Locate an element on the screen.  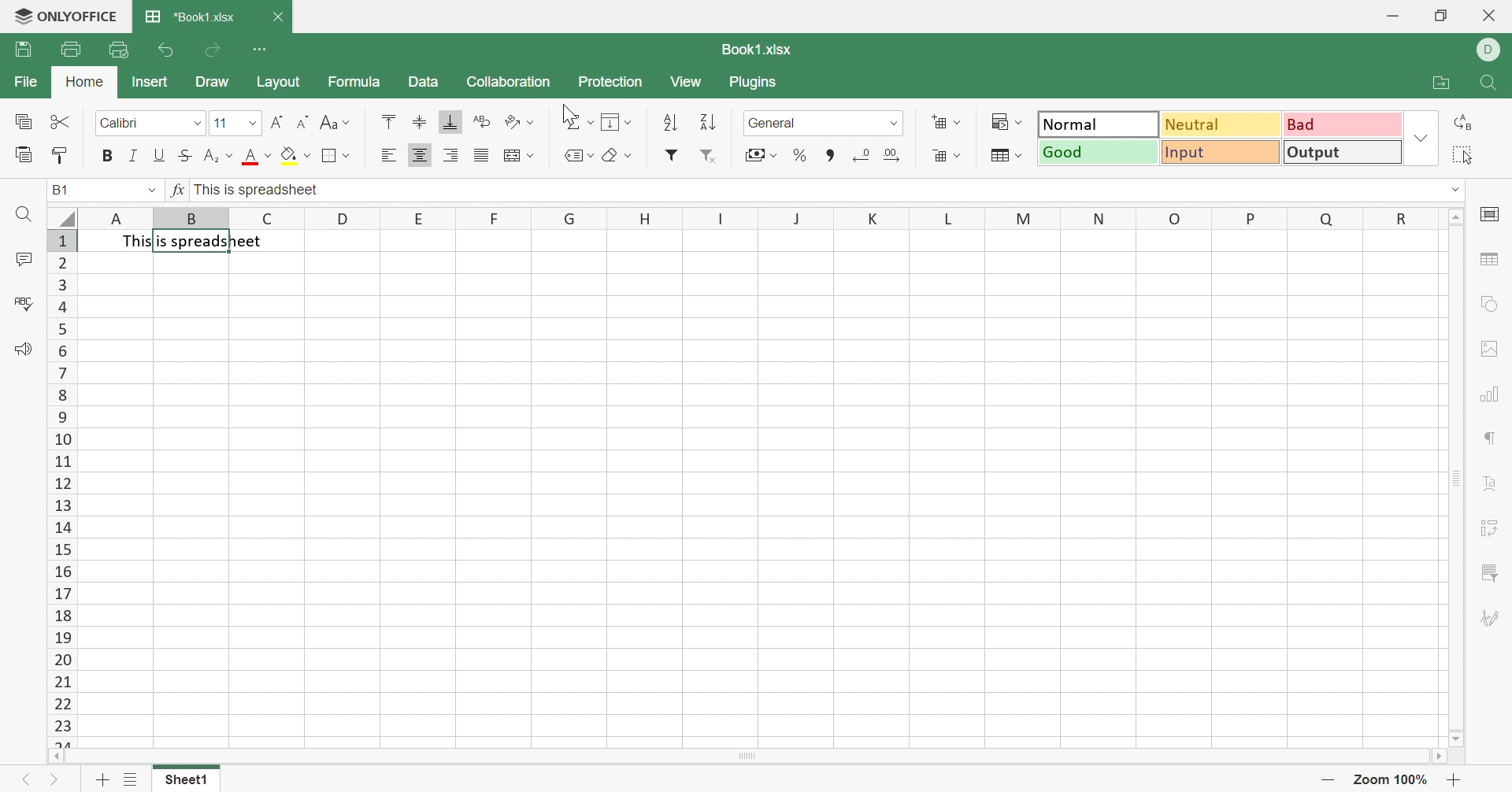
Copy Style is located at coordinates (61, 155).